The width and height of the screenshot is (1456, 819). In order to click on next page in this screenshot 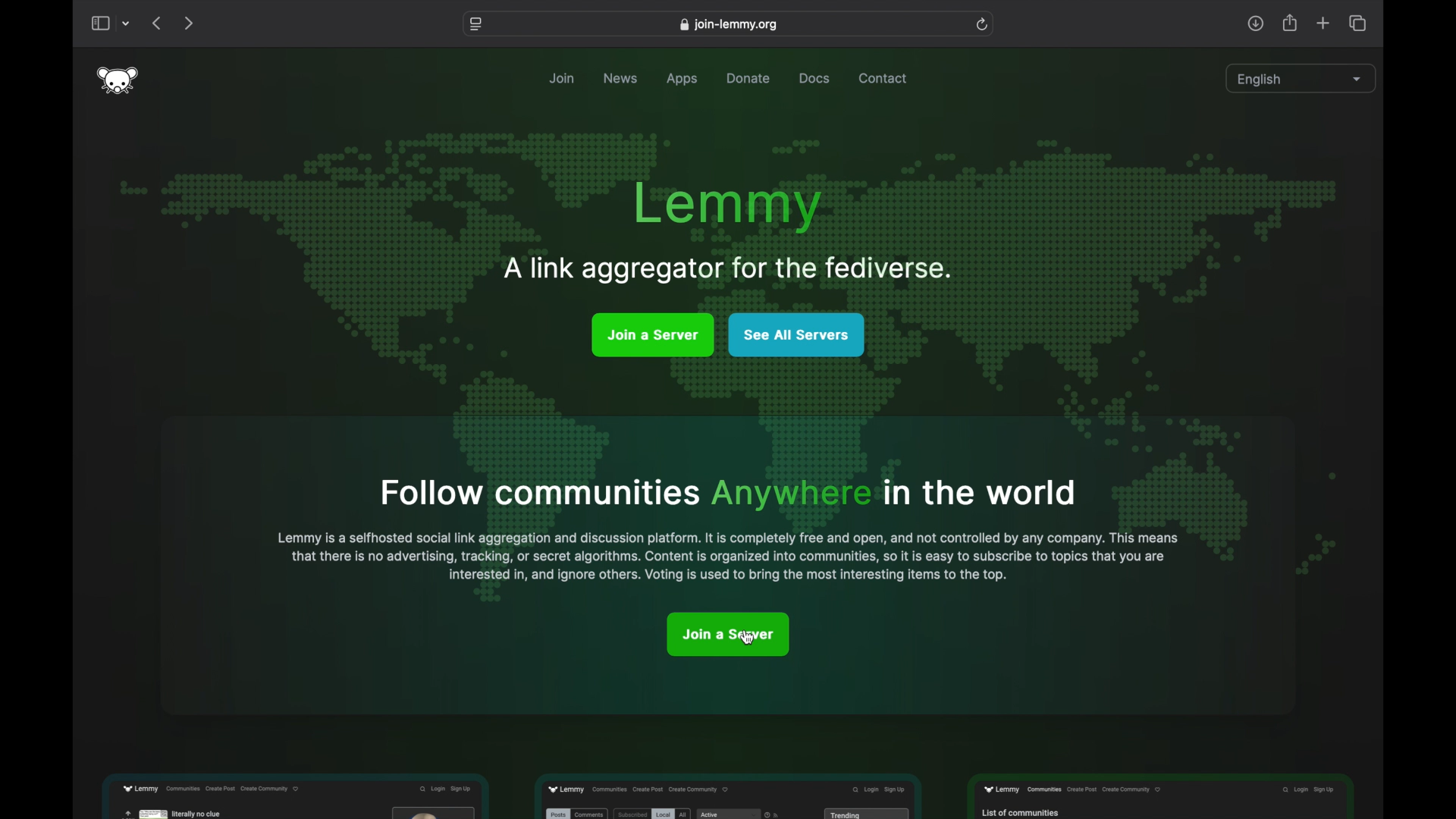, I will do `click(188, 24)`.